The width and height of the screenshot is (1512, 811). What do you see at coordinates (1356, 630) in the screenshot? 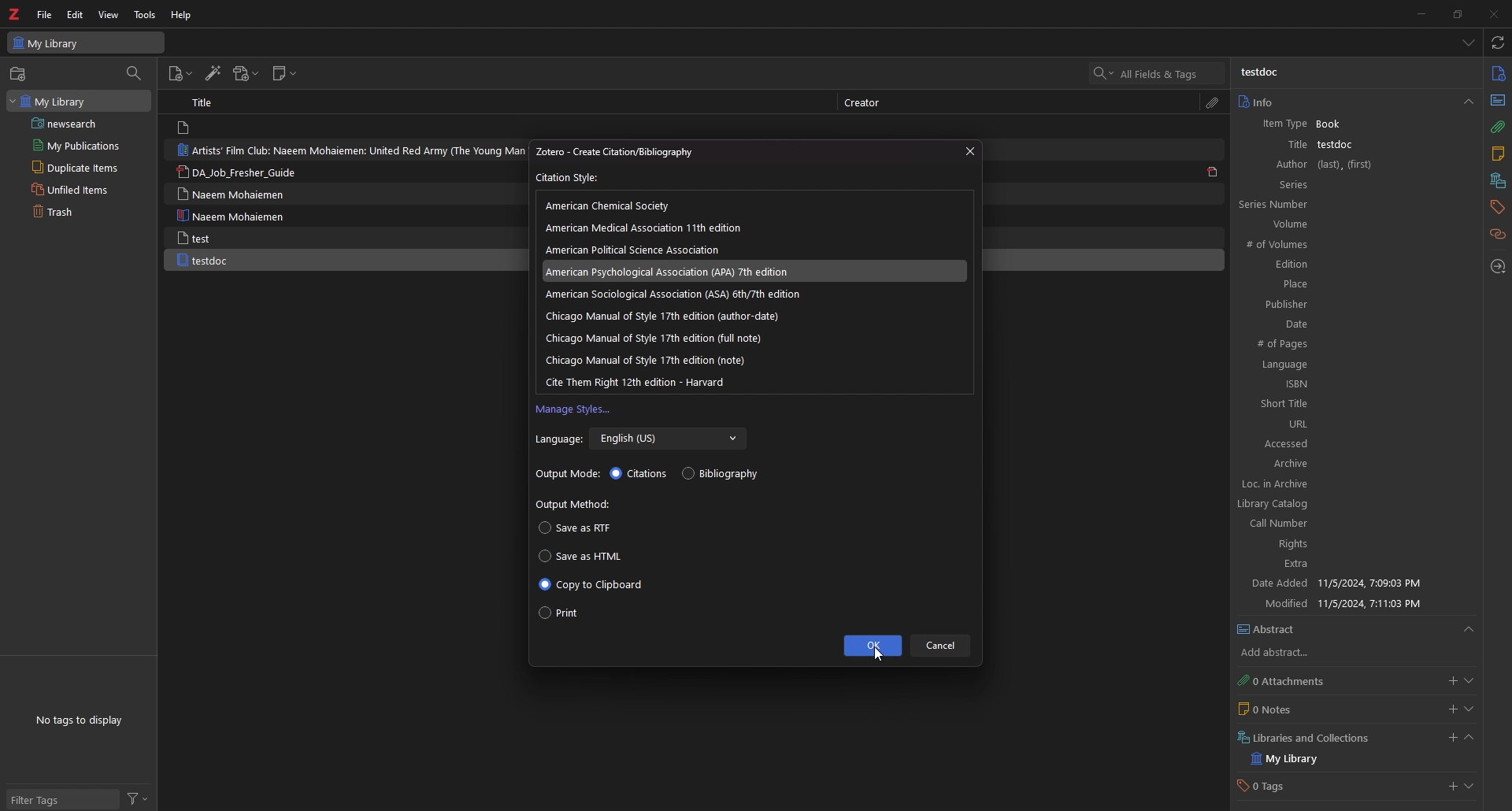
I see `Abstract` at bounding box center [1356, 630].